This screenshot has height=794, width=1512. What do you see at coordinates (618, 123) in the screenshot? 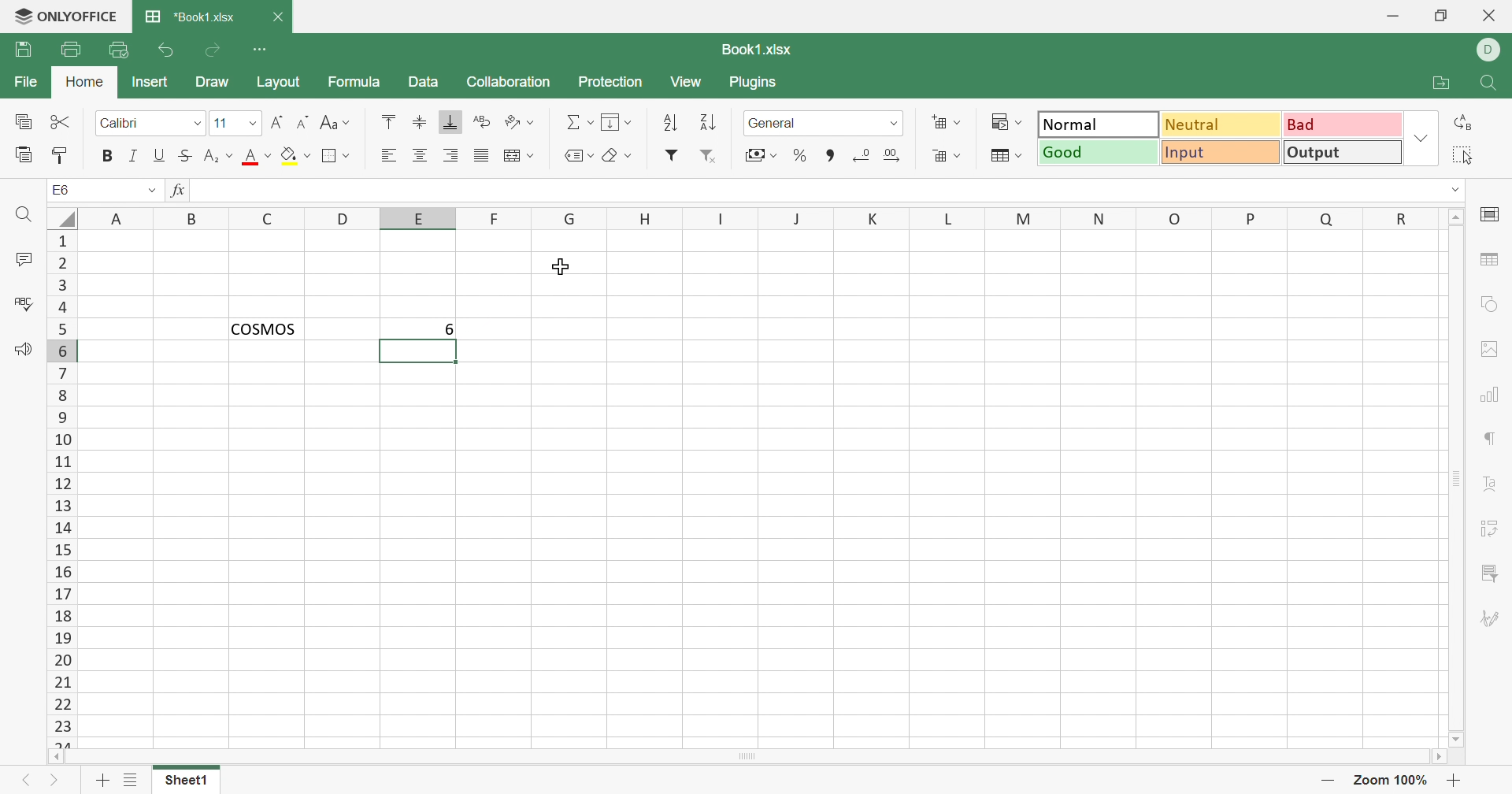
I see `Fill` at bounding box center [618, 123].